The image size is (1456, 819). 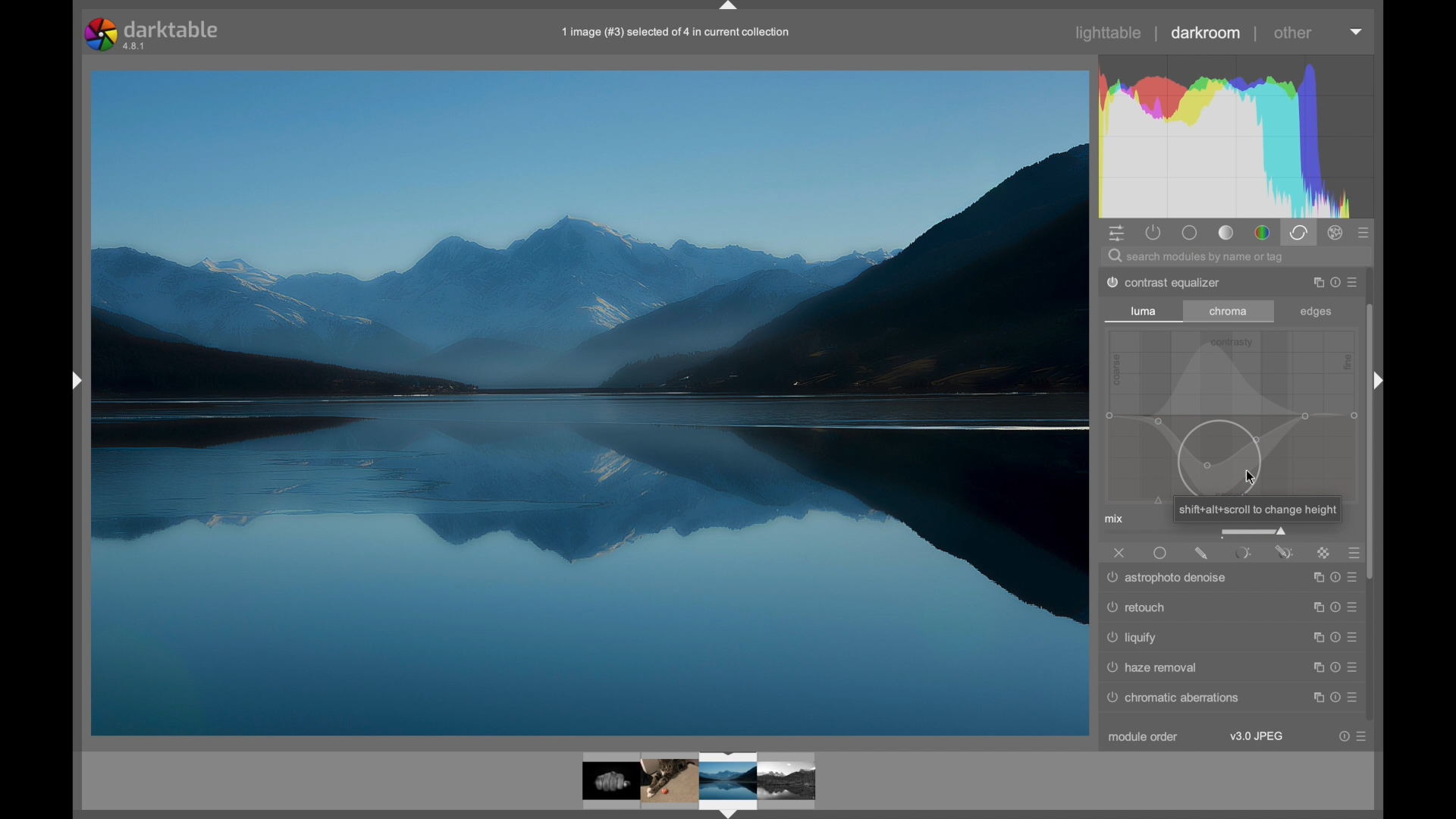 What do you see at coordinates (1228, 312) in the screenshot?
I see `chroma` at bounding box center [1228, 312].